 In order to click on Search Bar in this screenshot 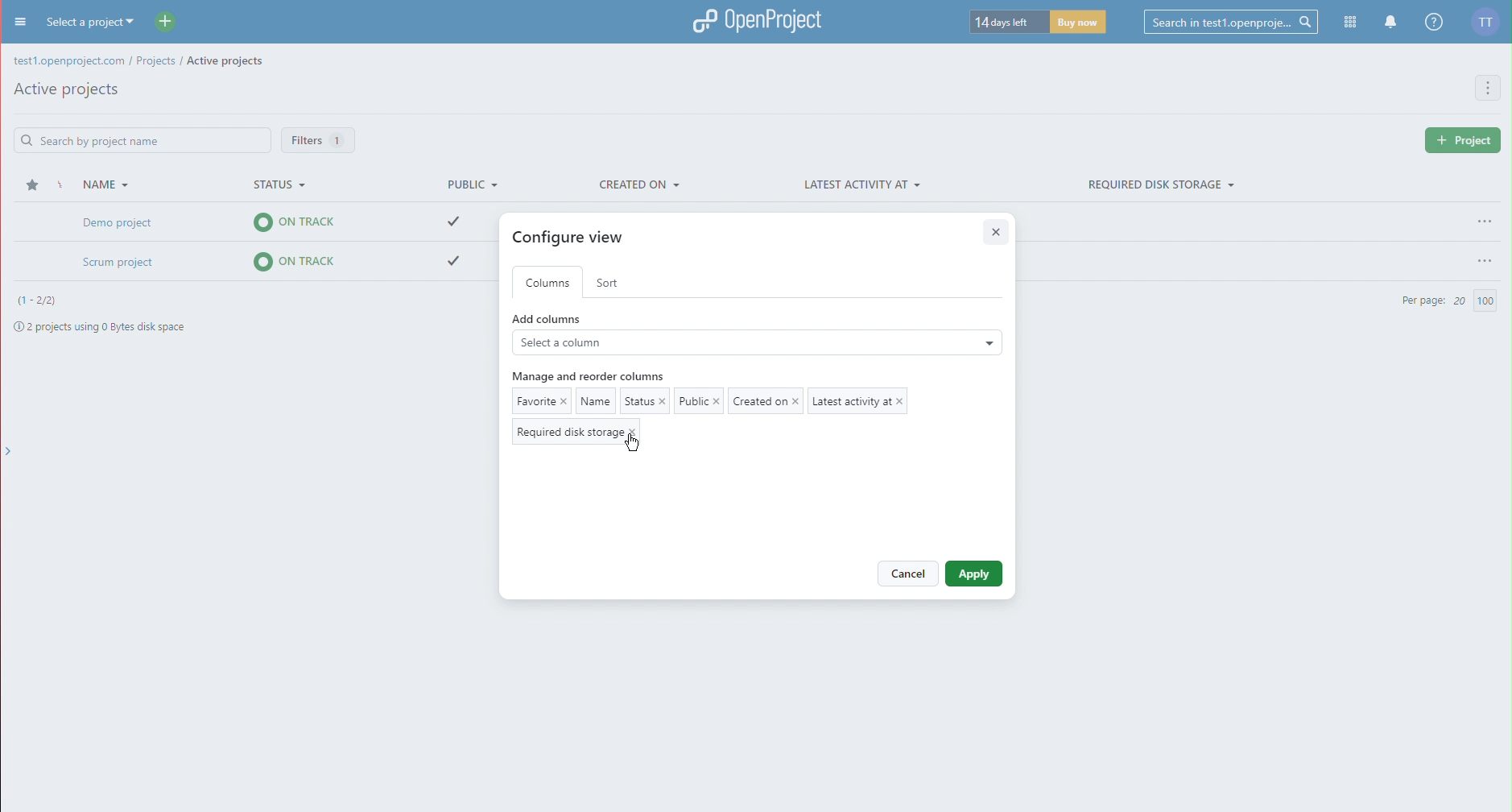, I will do `click(140, 138)`.